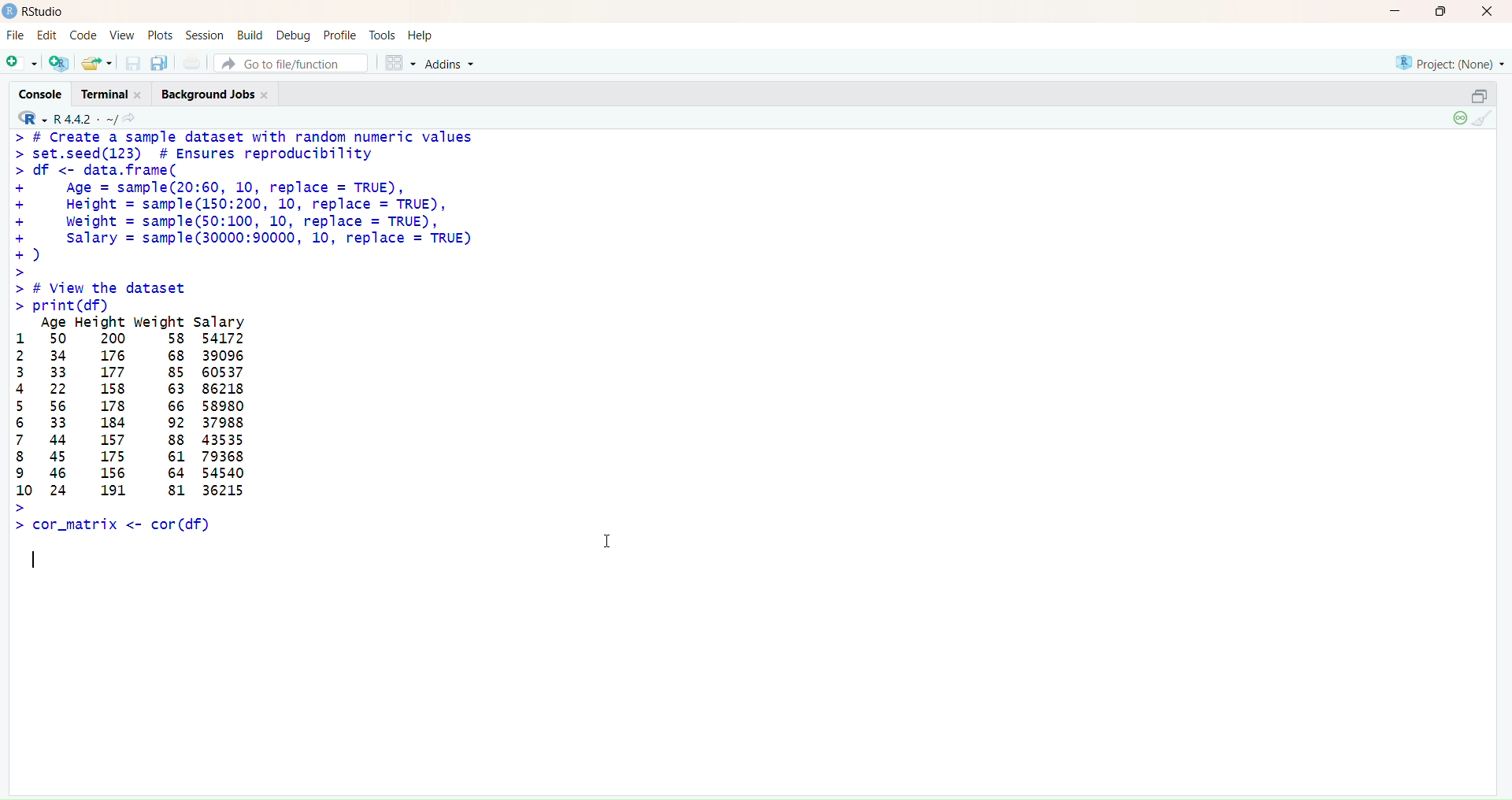 The image size is (1512, 800). What do you see at coordinates (121, 35) in the screenshot?
I see `View` at bounding box center [121, 35].